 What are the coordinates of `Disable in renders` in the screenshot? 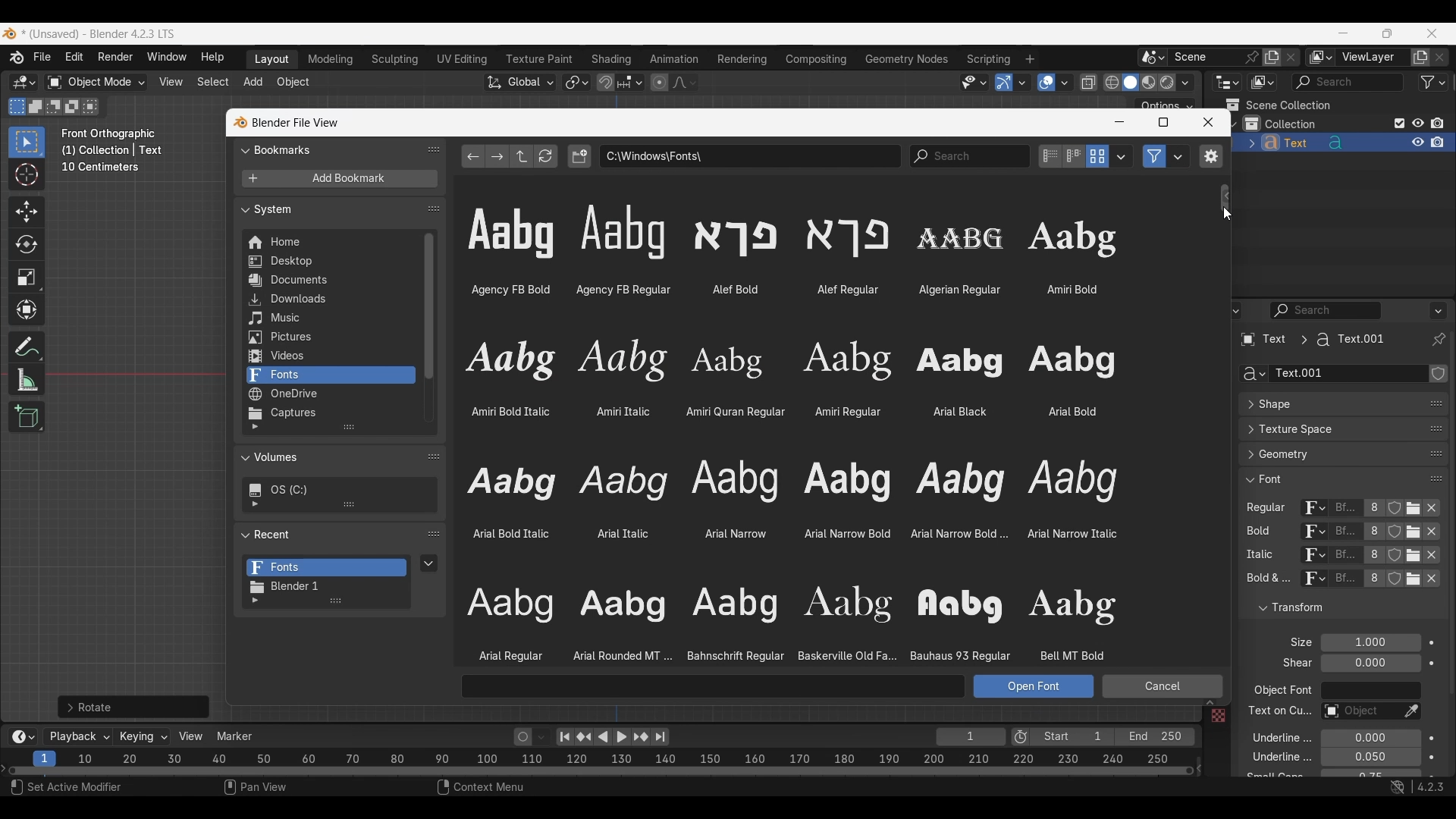 It's located at (1437, 123).